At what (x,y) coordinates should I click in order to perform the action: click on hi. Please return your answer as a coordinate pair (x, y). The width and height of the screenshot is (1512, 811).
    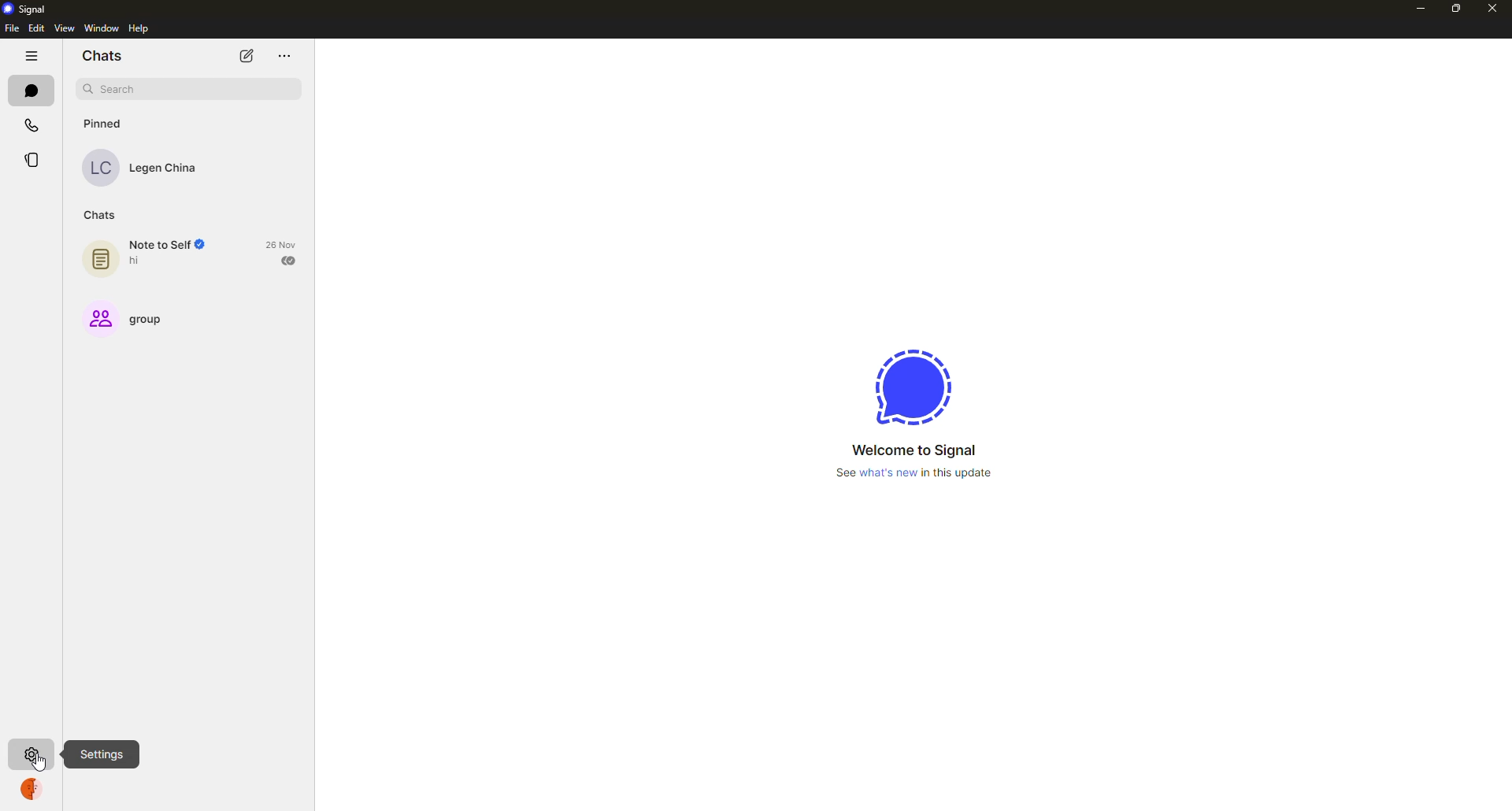
    Looking at the image, I should click on (139, 261).